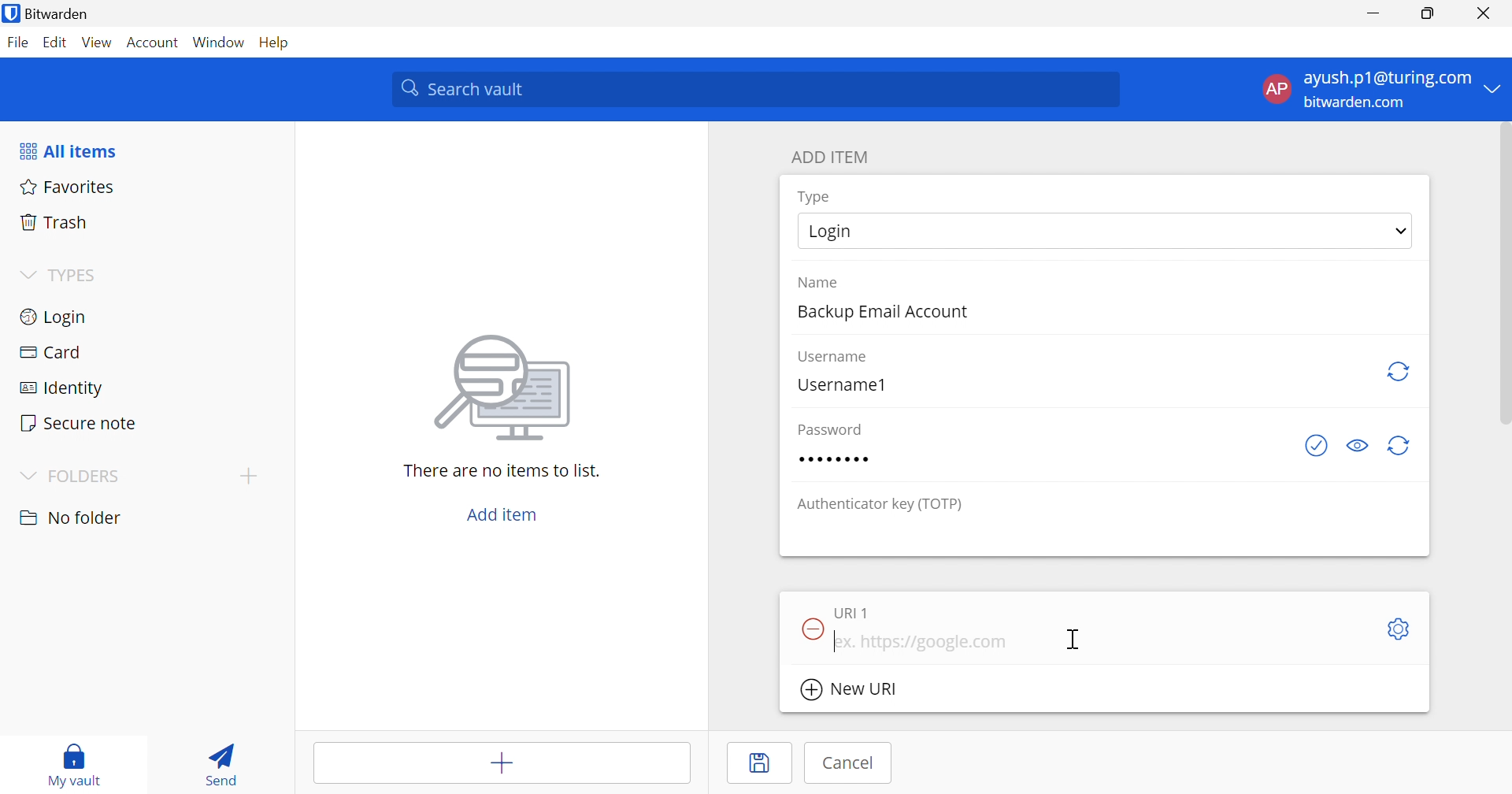 This screenshot has height=794, width=1512. I want to click on Type, so click(816, 198).